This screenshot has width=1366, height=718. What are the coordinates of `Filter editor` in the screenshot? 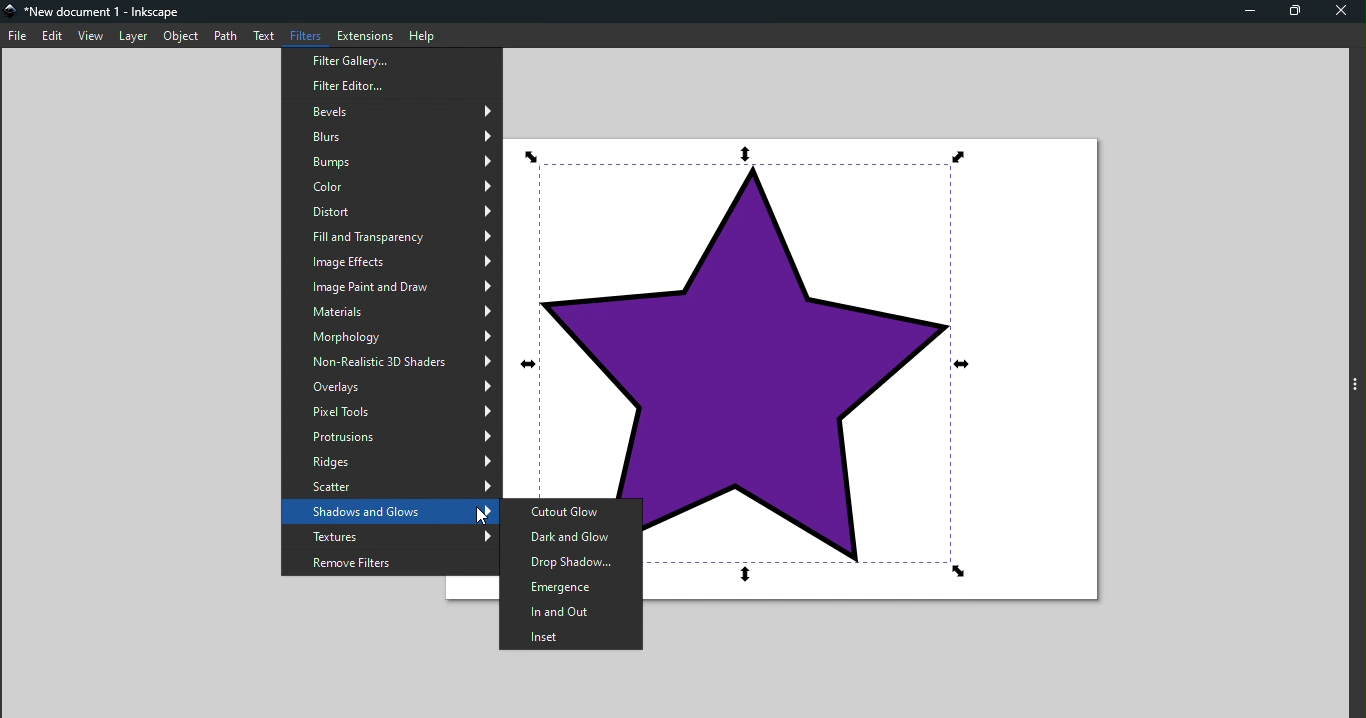 It's located at (389, 86).